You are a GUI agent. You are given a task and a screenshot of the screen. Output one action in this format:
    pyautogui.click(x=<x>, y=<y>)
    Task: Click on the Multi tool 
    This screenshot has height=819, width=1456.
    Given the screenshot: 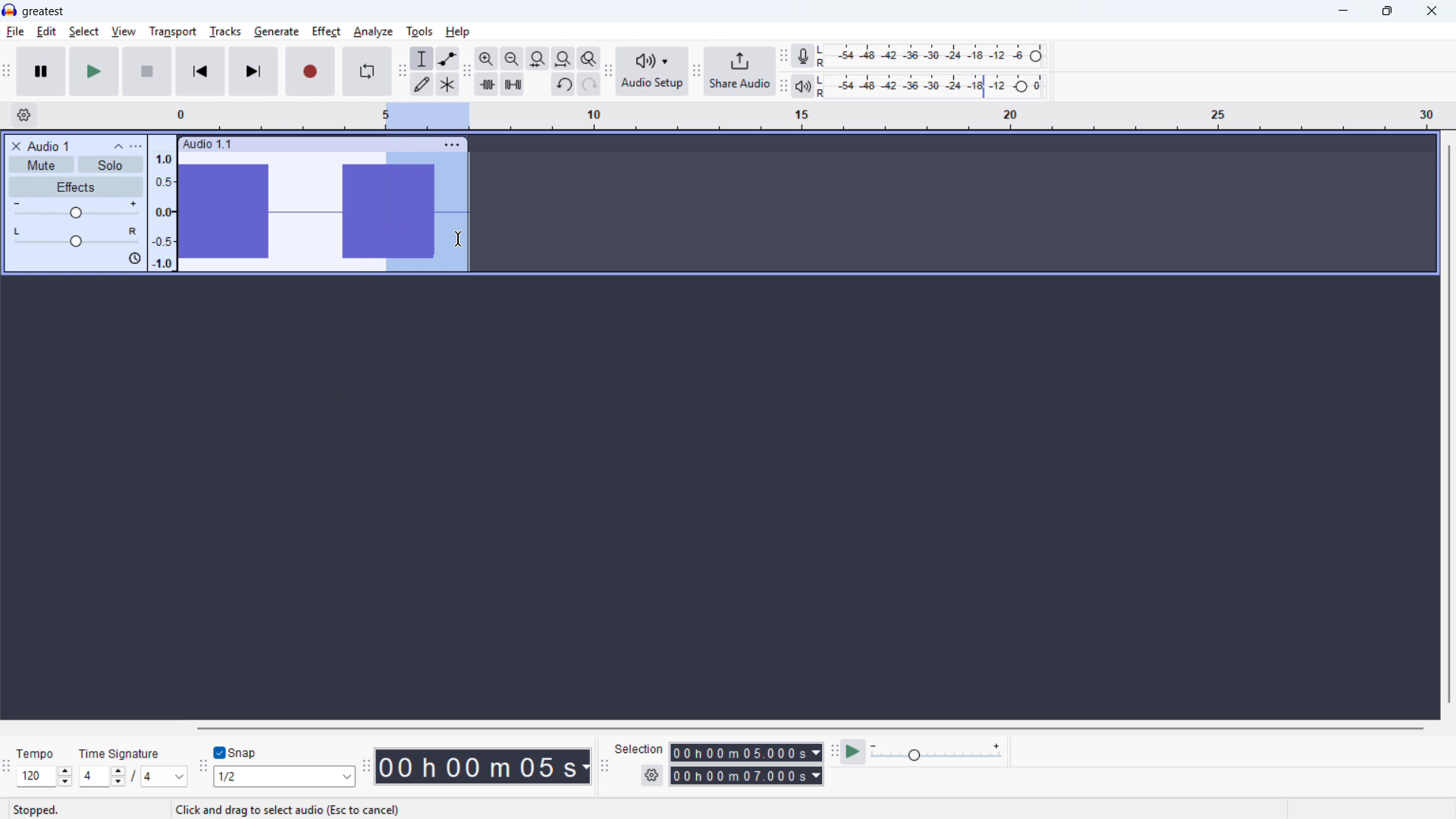 What is the action you would take?
    pyautogui.click(x=447, y=85)
    